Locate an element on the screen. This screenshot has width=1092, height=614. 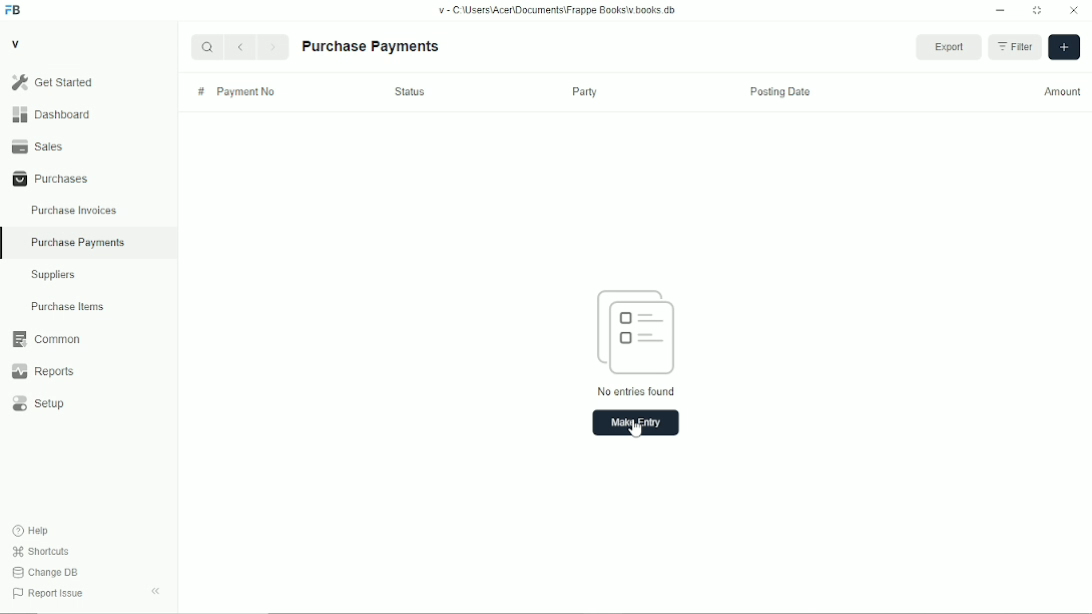
Change dimension is located at coordinates (1037, 10).